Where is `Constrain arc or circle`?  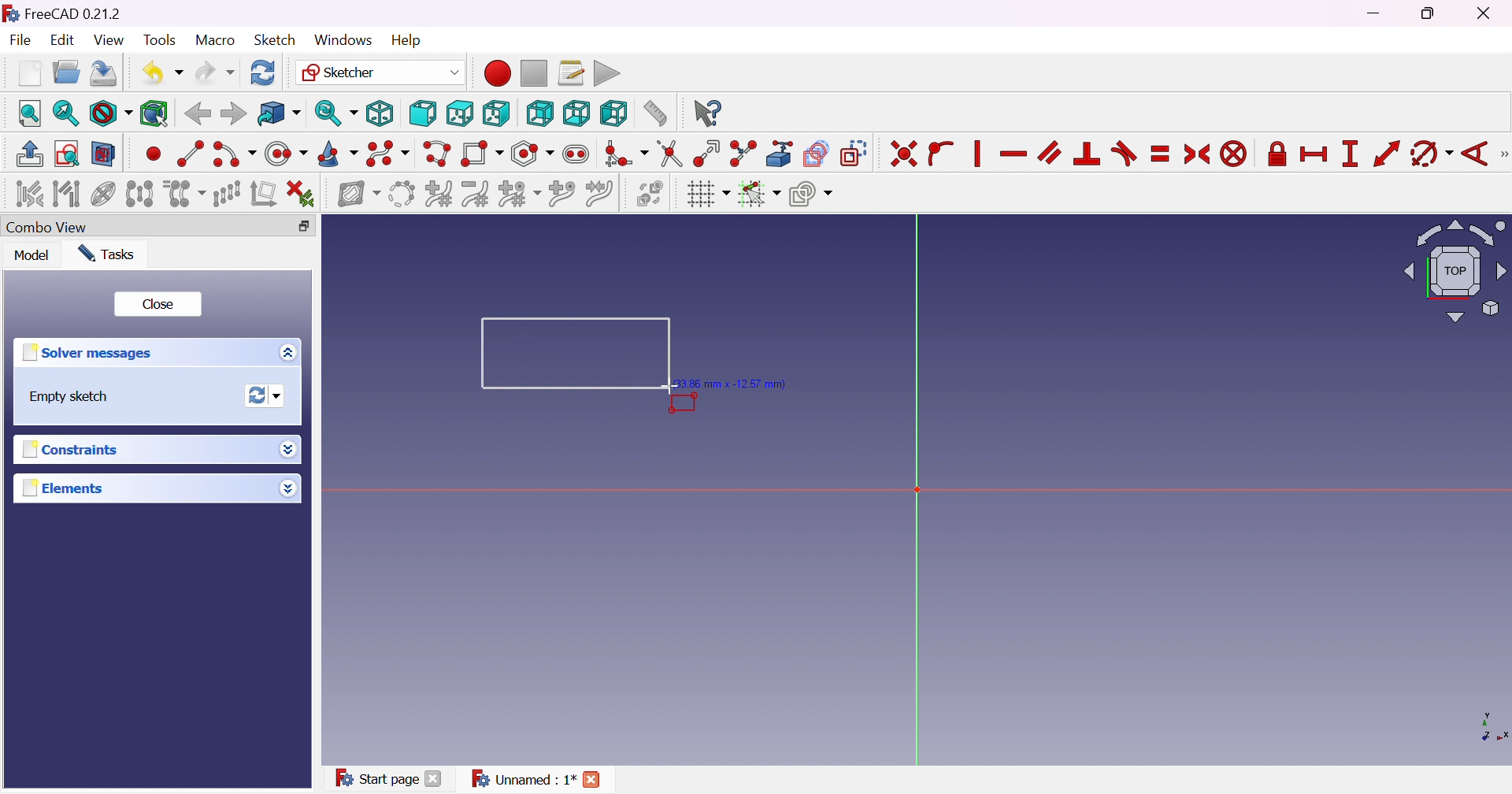
Constrain arc or circle is located at coordinates (1431, 155).